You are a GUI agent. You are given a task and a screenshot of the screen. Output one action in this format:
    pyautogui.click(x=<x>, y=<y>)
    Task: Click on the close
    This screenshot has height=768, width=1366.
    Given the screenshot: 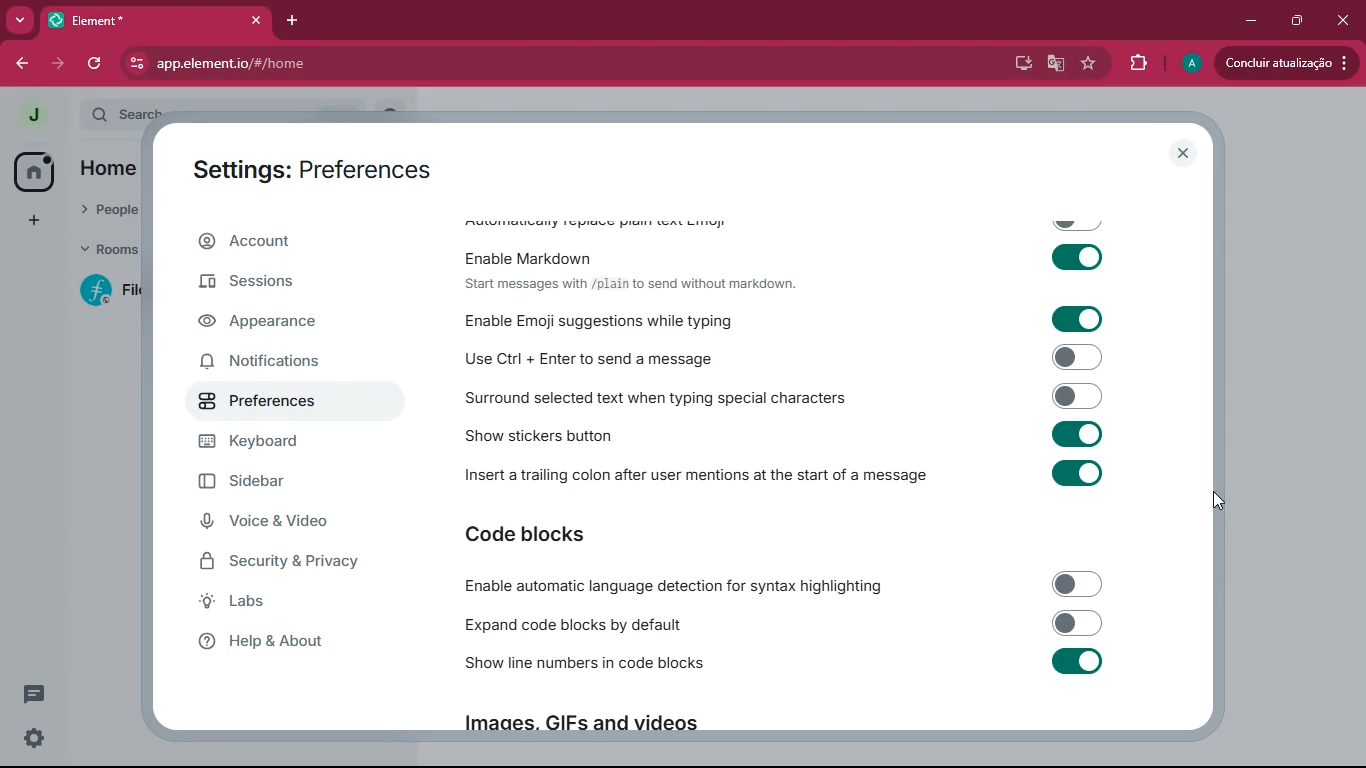 What is the action you would take?
    pyautogui.click(x=1184, y=154)
    